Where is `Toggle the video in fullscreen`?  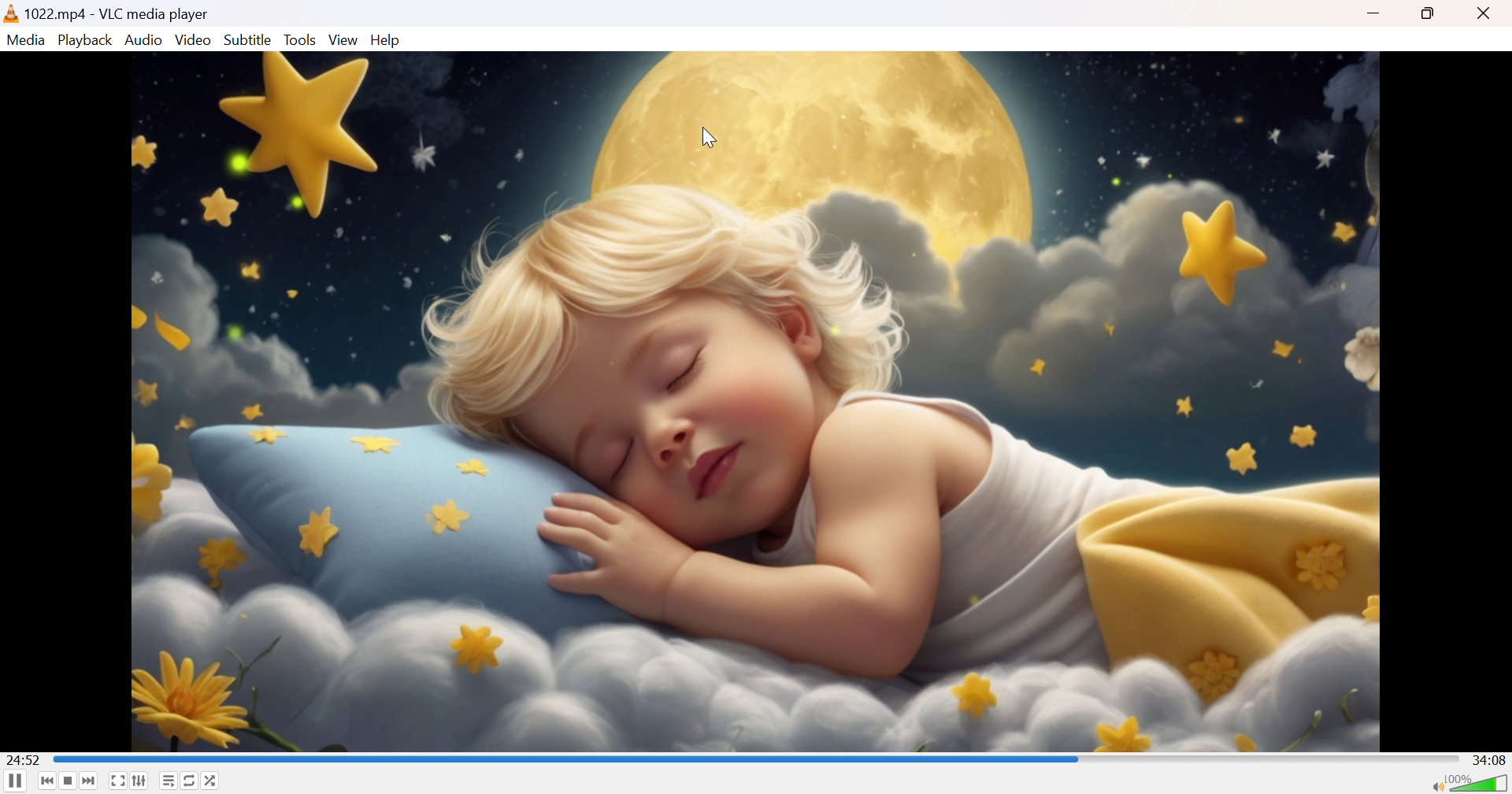 Toggle the video in fullscreen is located at coordinates (118, 781).